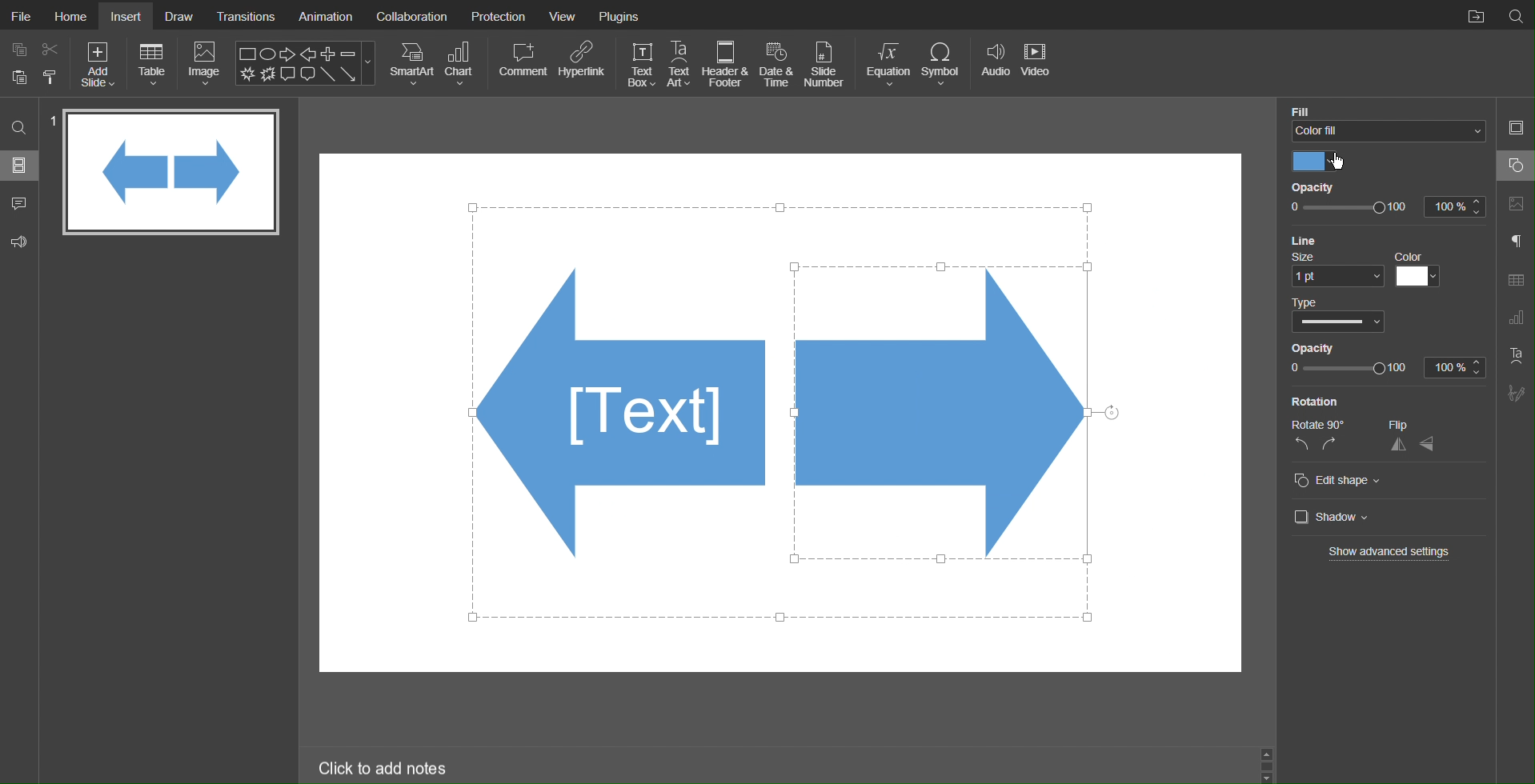 This screenshot has height=784, width=1535. I want to click on Table, so click(153, 64).